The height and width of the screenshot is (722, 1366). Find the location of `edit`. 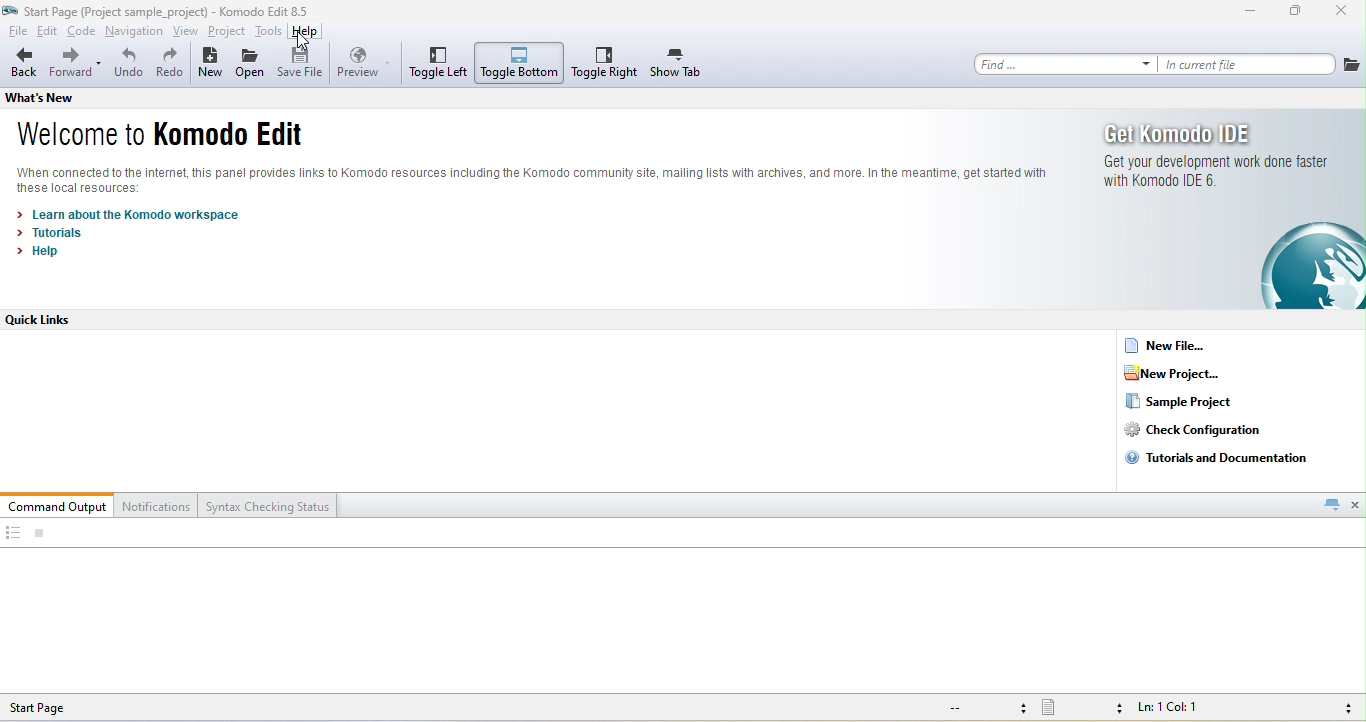

edit is located at coordinates (48, 32).